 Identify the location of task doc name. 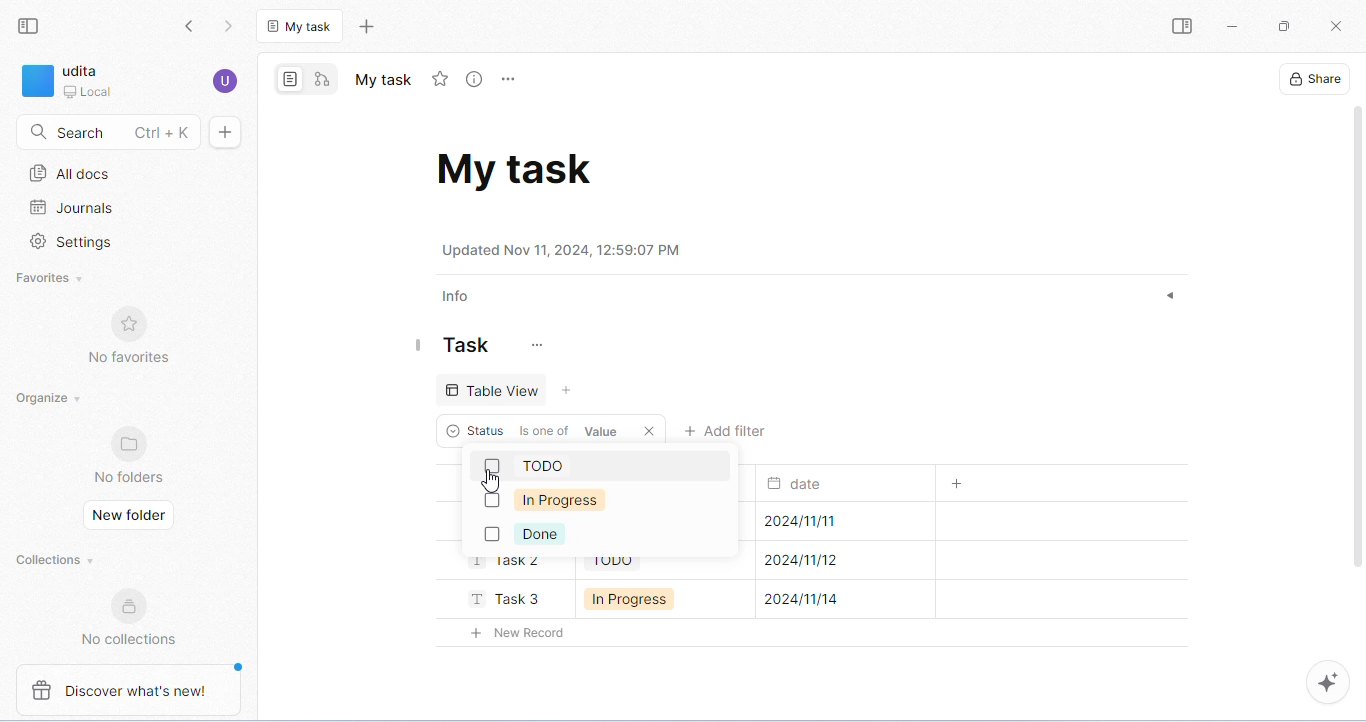
(516, 167).